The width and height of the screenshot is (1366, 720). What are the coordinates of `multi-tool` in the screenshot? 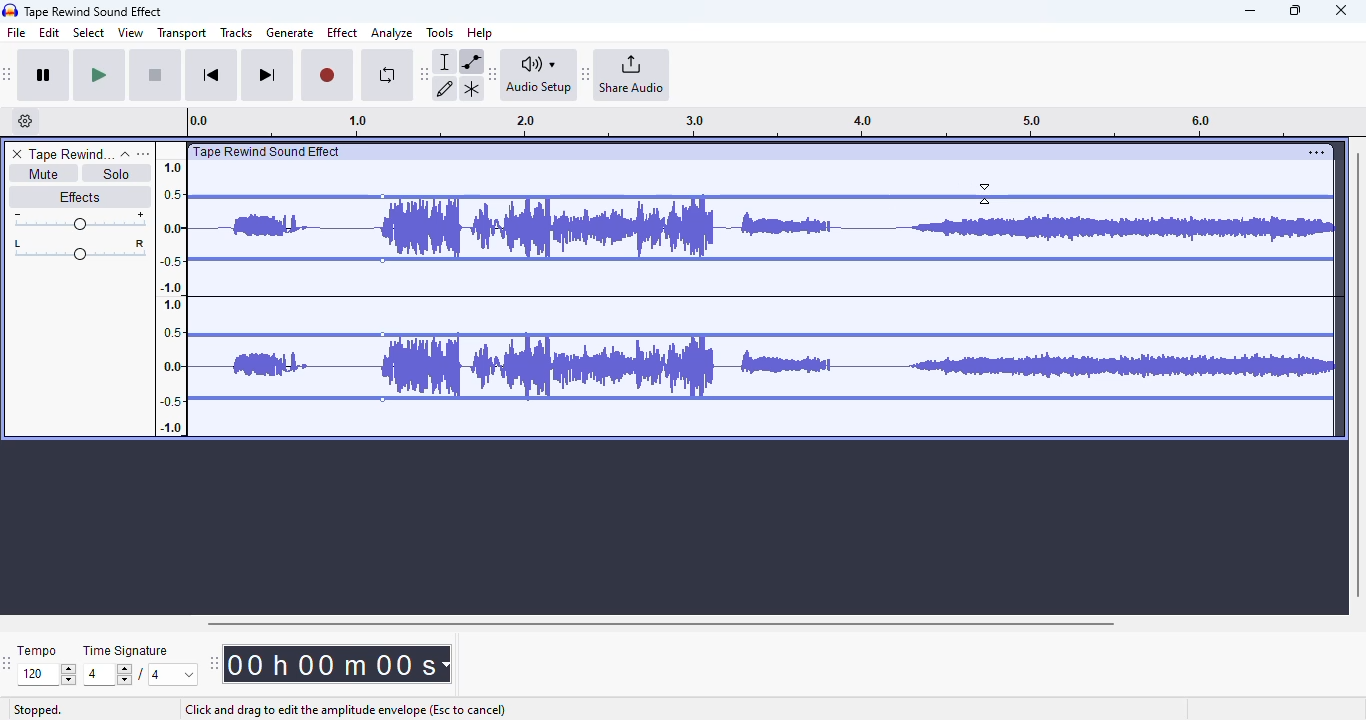 It's located at (471, 89).